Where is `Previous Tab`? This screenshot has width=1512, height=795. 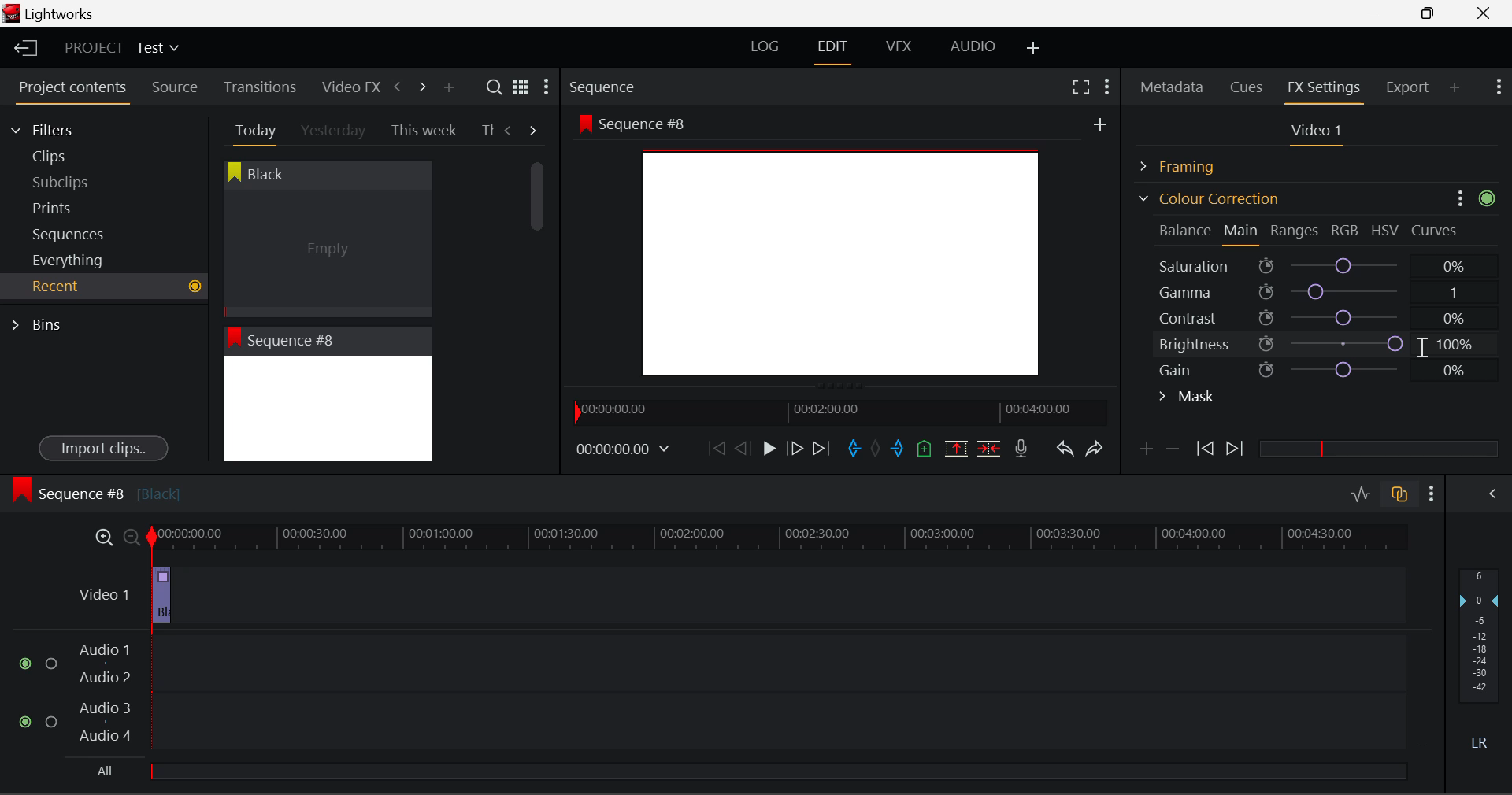 Previous Tab is located at coordinates (510, 130).